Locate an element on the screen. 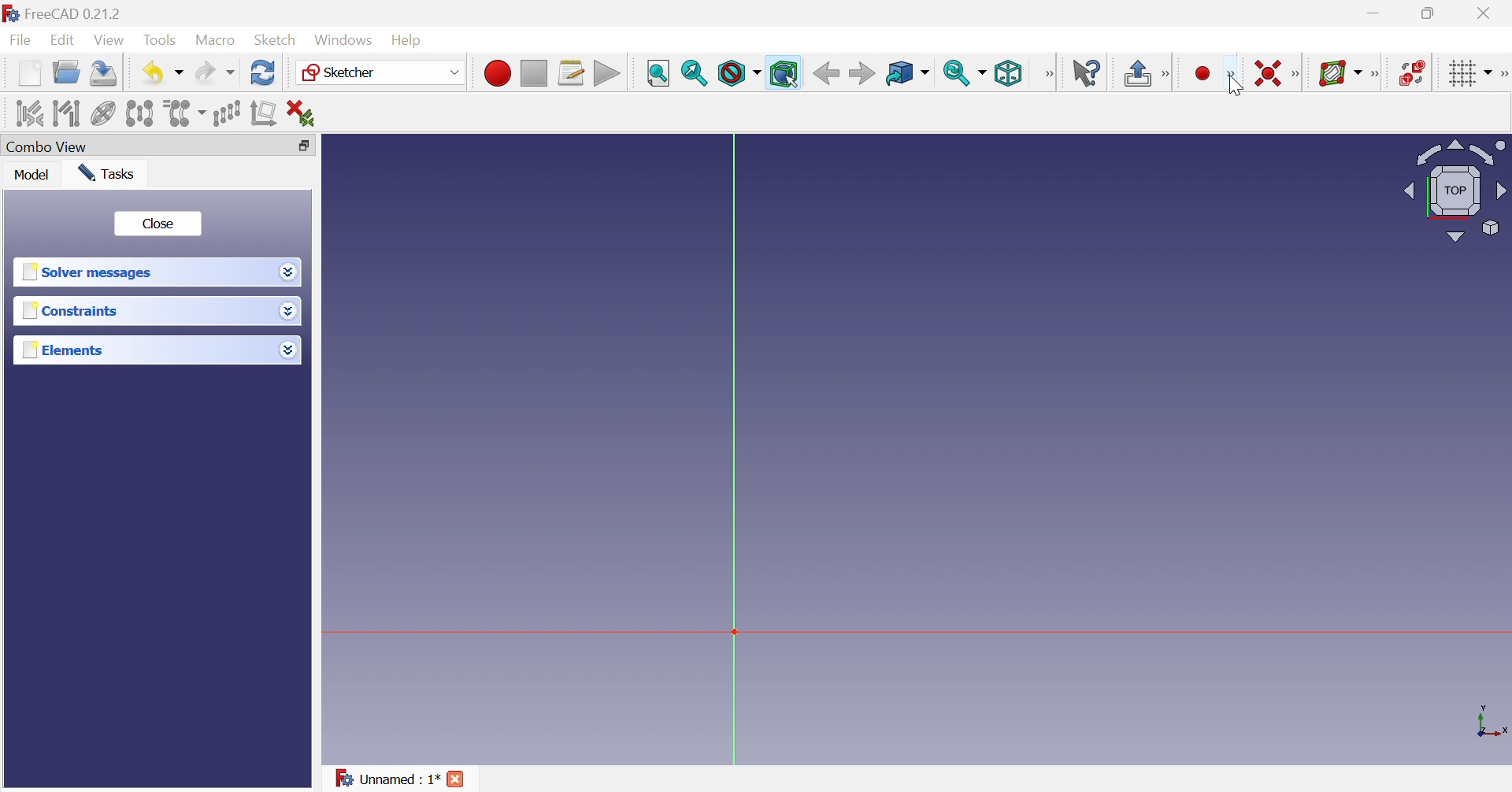  Sketcher is located at coordinates (380, 72).